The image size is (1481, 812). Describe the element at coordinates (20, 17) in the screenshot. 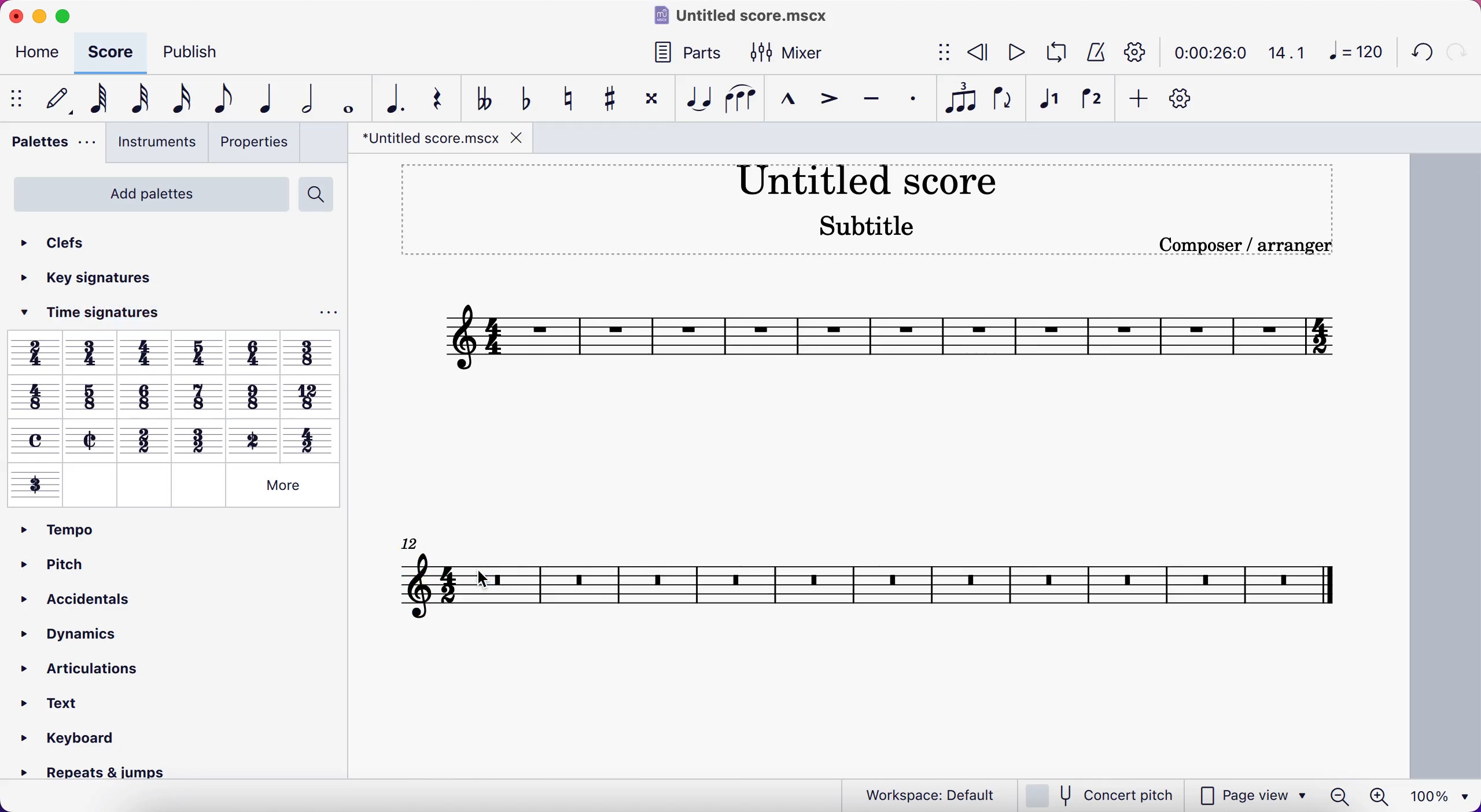

I see `close` at that location.